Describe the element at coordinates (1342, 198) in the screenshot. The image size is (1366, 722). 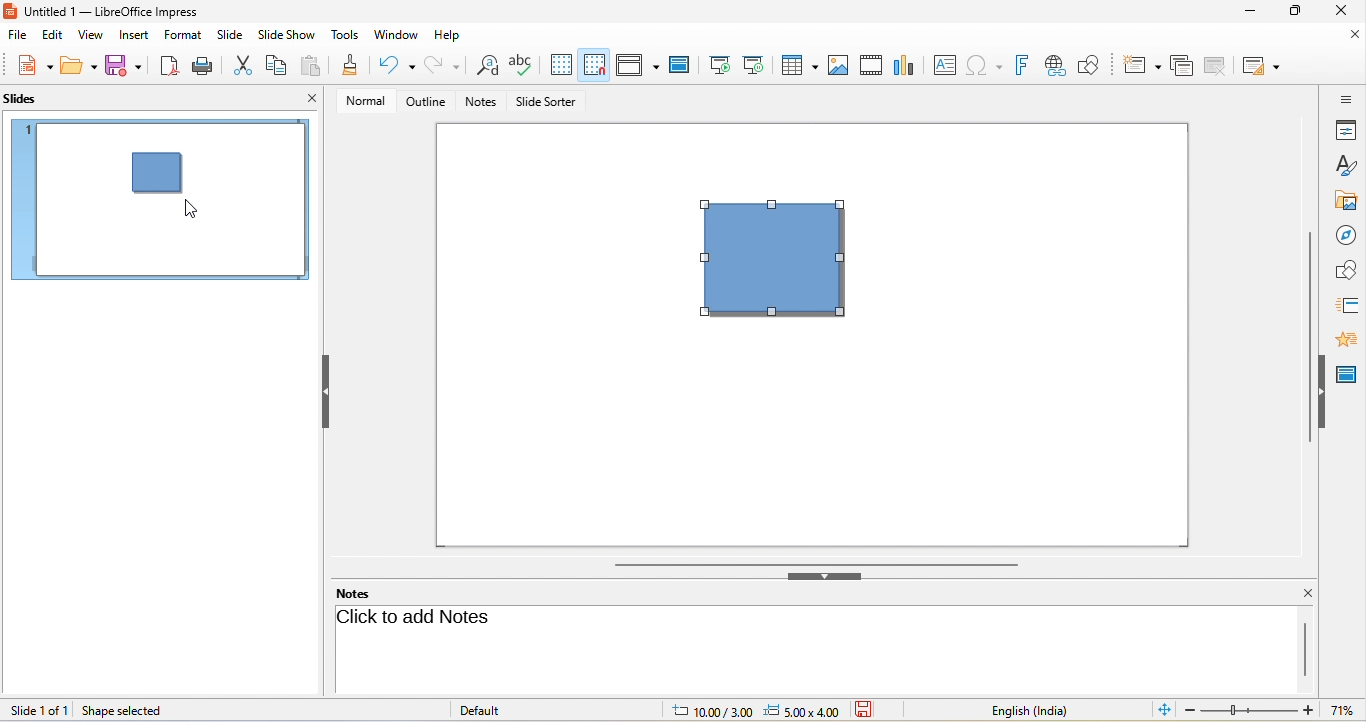
I see `gallery` at that location.